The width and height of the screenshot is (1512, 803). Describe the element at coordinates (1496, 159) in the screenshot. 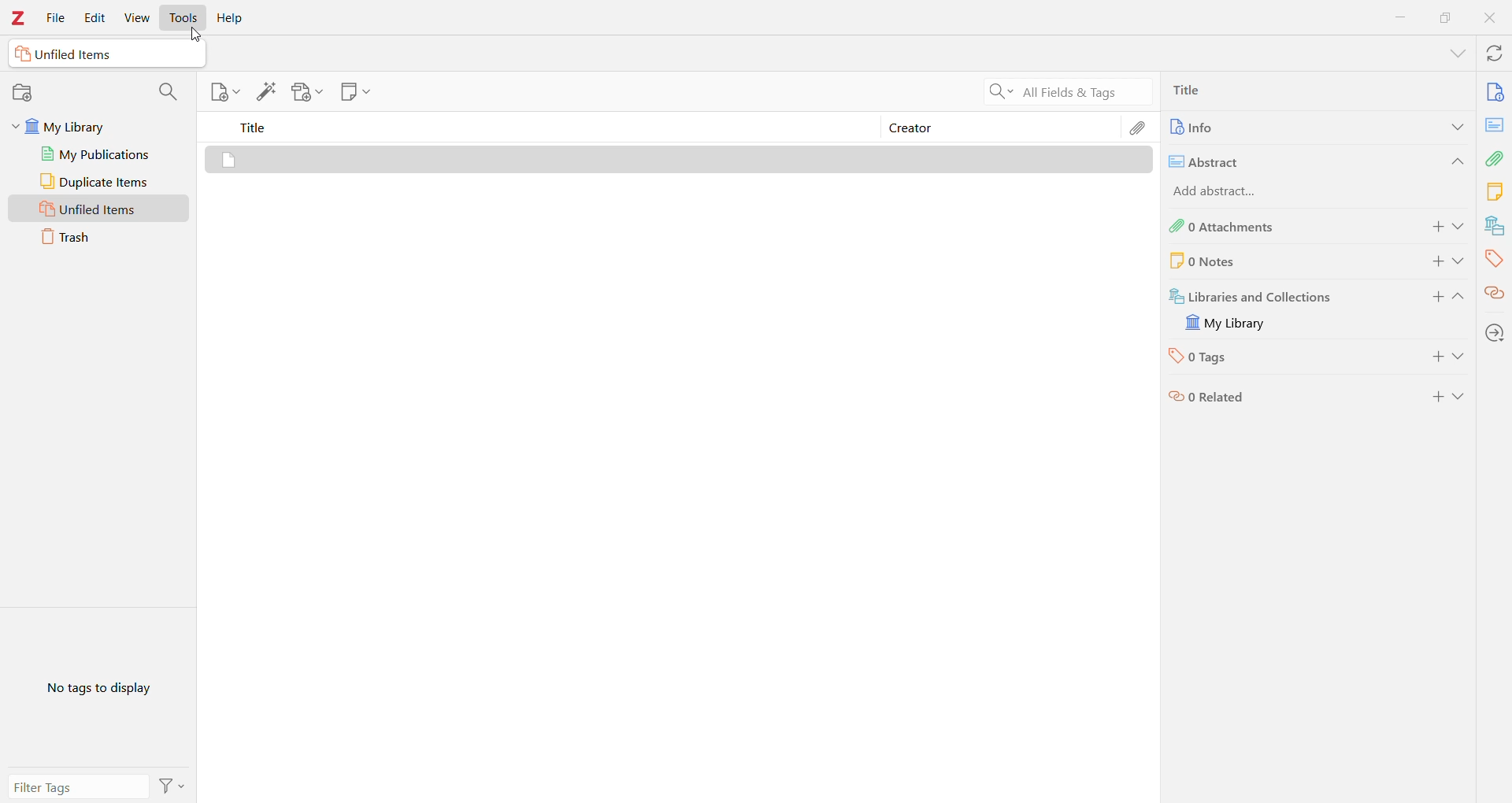

I see `Attachments` at that location.